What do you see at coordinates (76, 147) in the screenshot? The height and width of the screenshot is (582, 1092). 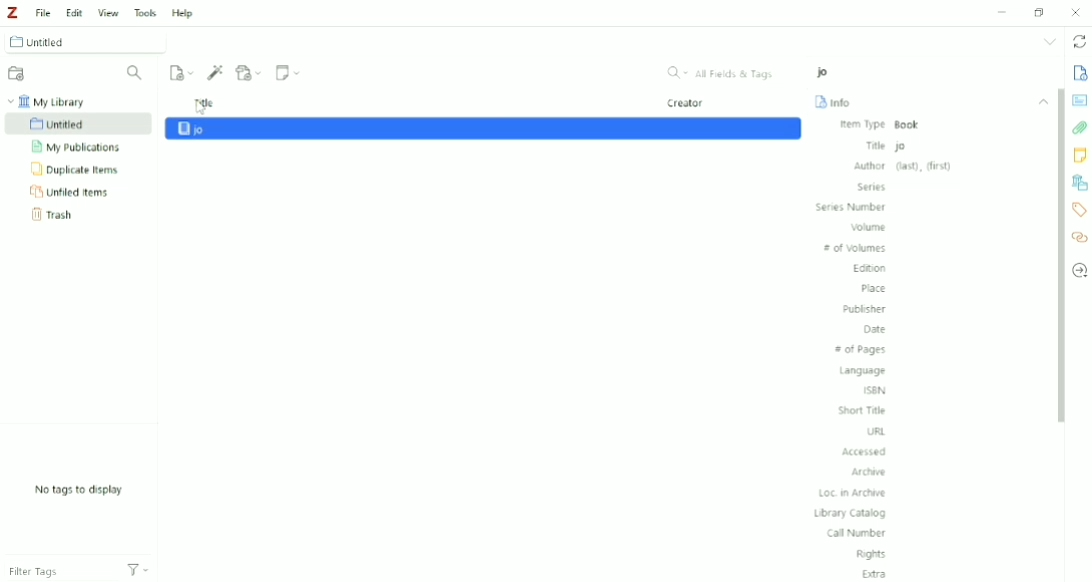 I see `My Publications` at bounding box center [76, 147].